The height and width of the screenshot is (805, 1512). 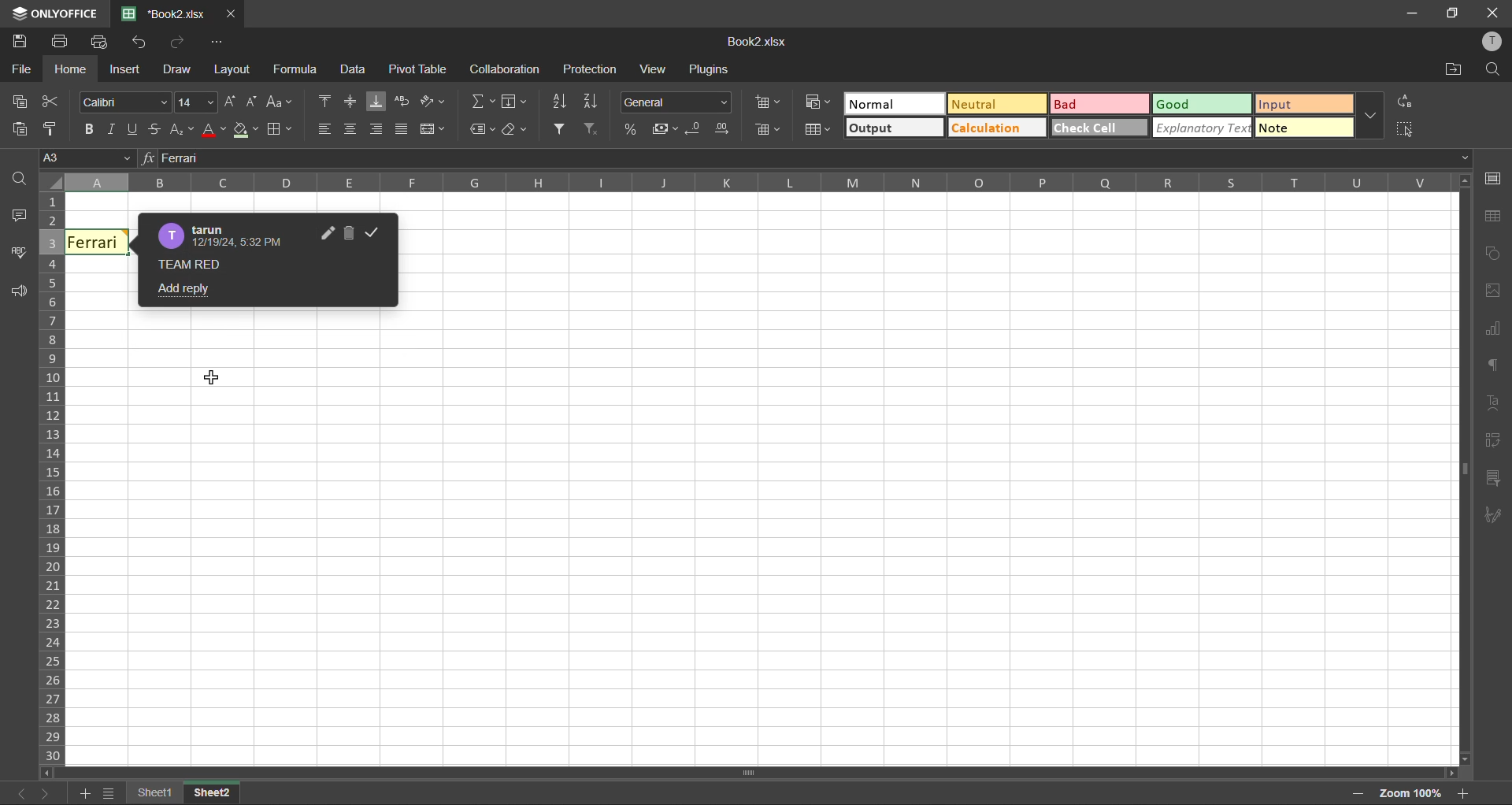 What do you see at coordinates (1495, 40) in the screenshot?
I see `profile` at bounding box center [1495, 40].